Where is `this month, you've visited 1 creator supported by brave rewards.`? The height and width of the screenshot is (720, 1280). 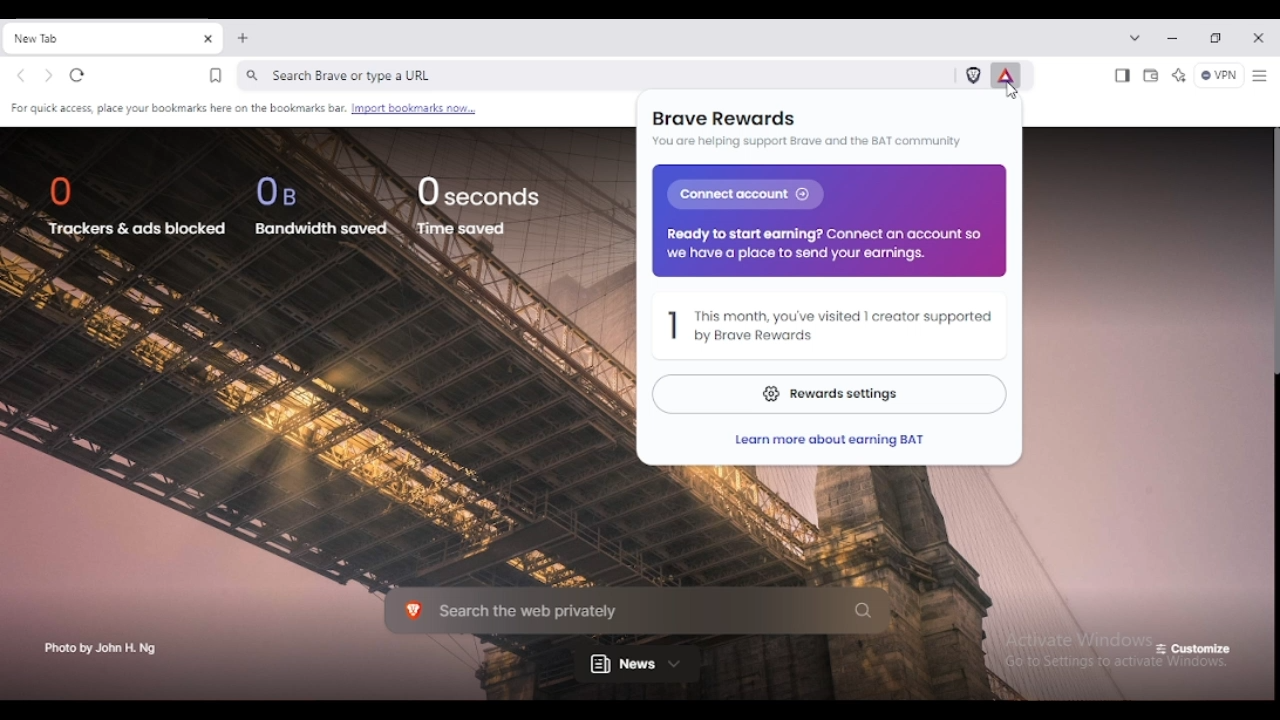
this month, you've visited 1 creator supported by brave rewards. is located at coordinates (845, 327).